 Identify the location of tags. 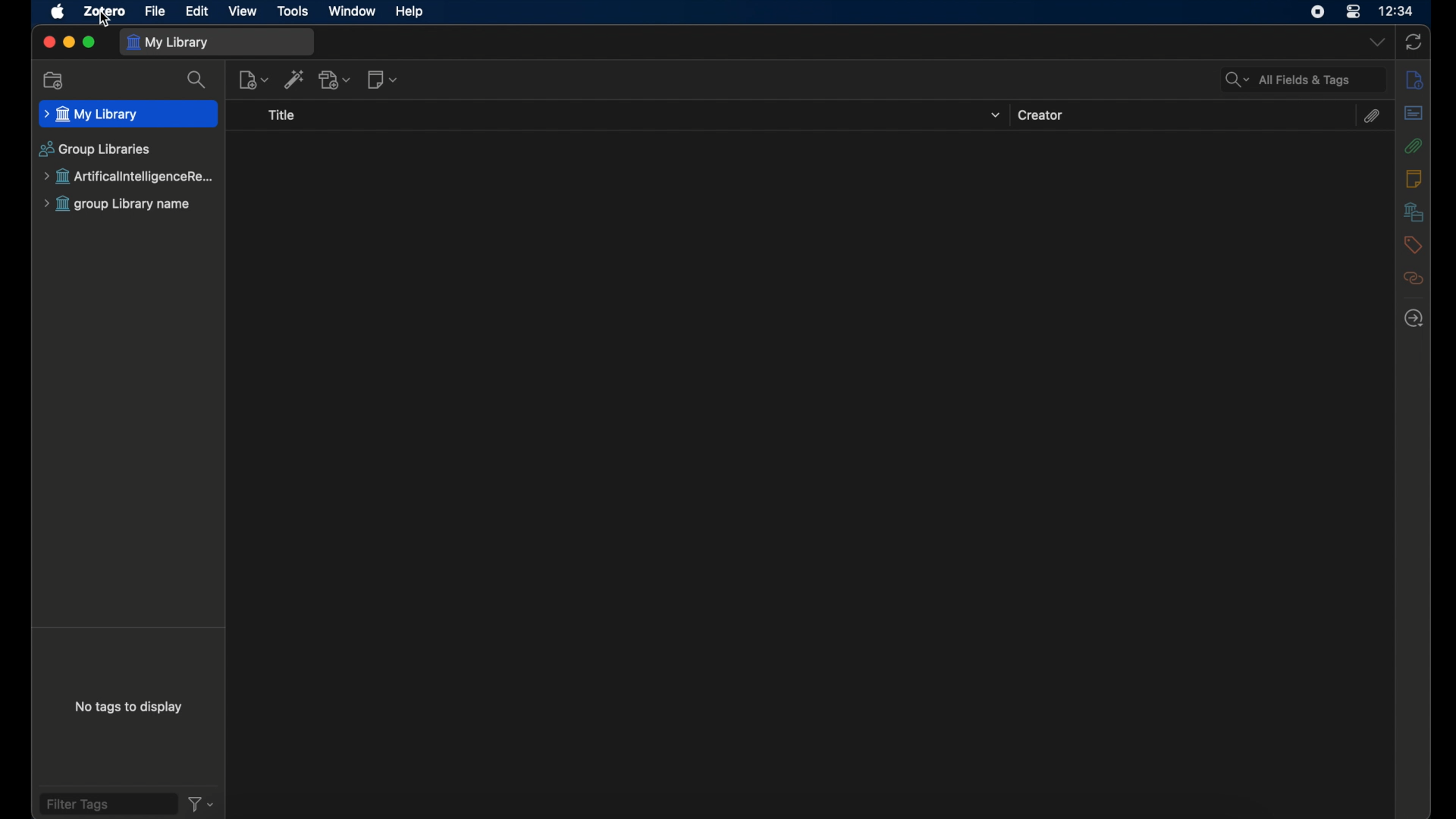
(1412, 246).